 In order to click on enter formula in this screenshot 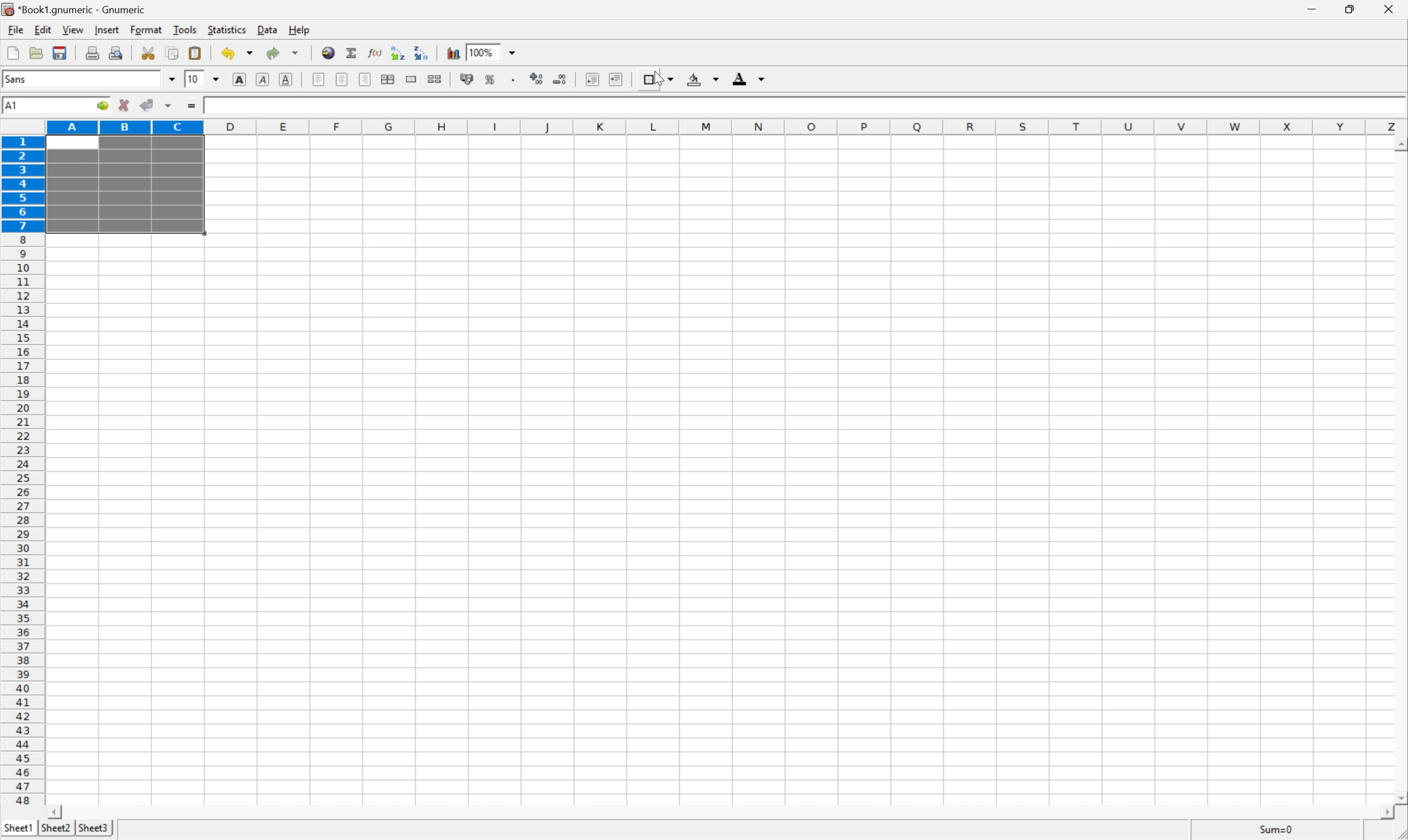, I will do `click(193, 108)`.